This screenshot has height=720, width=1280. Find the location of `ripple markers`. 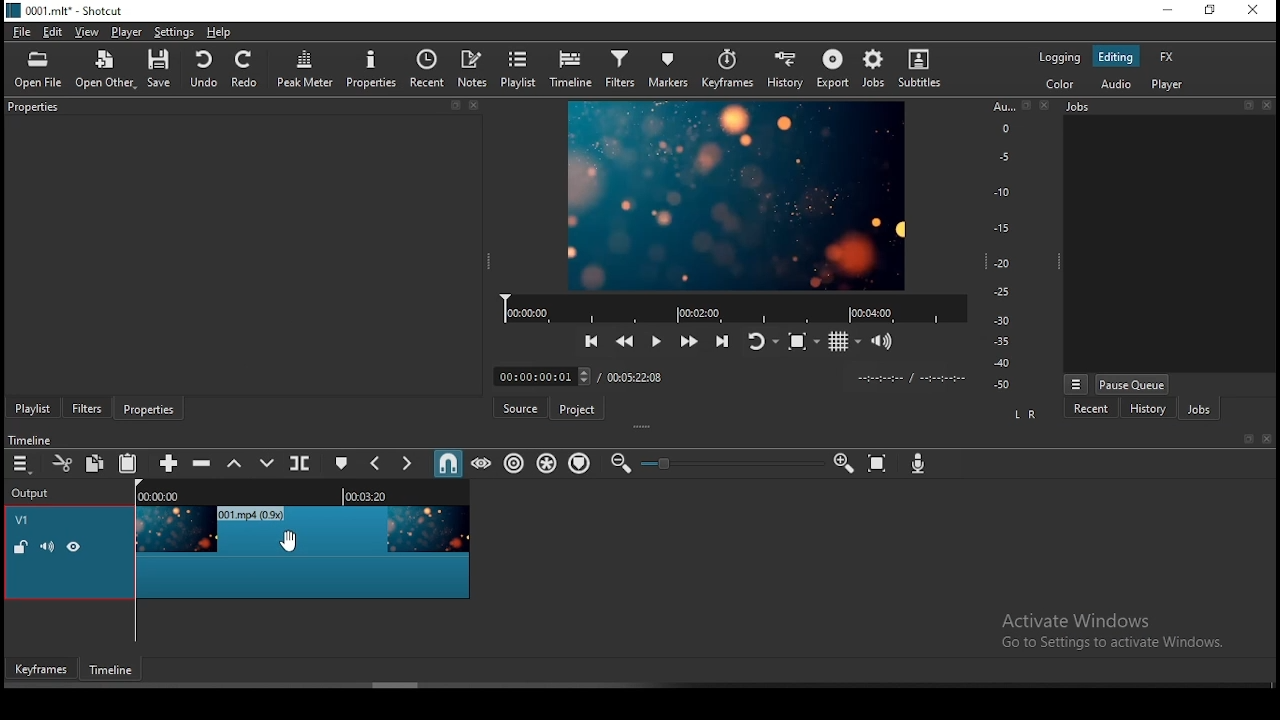

ripple markers is located at coordinates (580, 462).